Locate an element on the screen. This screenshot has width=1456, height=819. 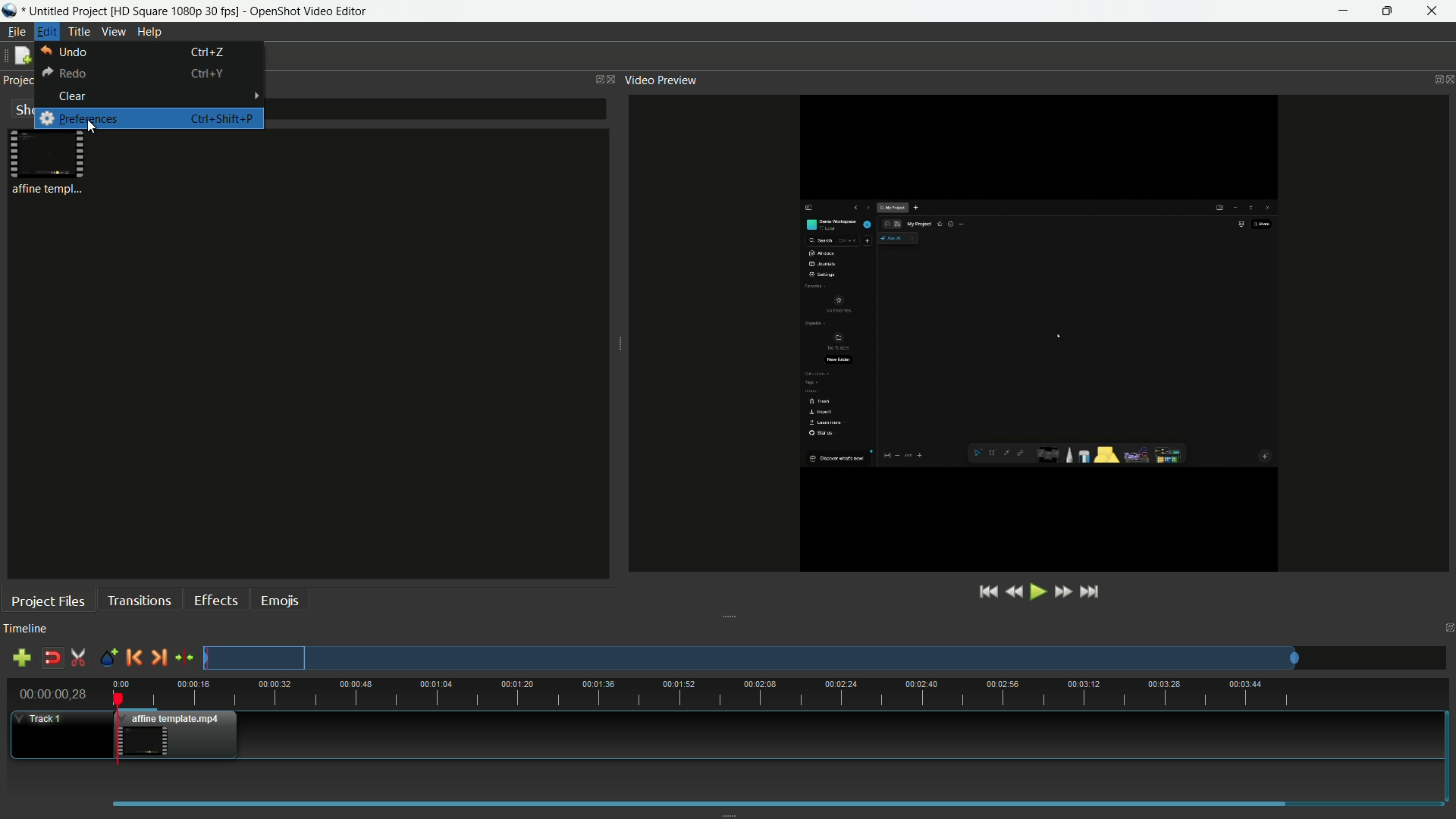
edit menu is located at coordinates (47, 32).